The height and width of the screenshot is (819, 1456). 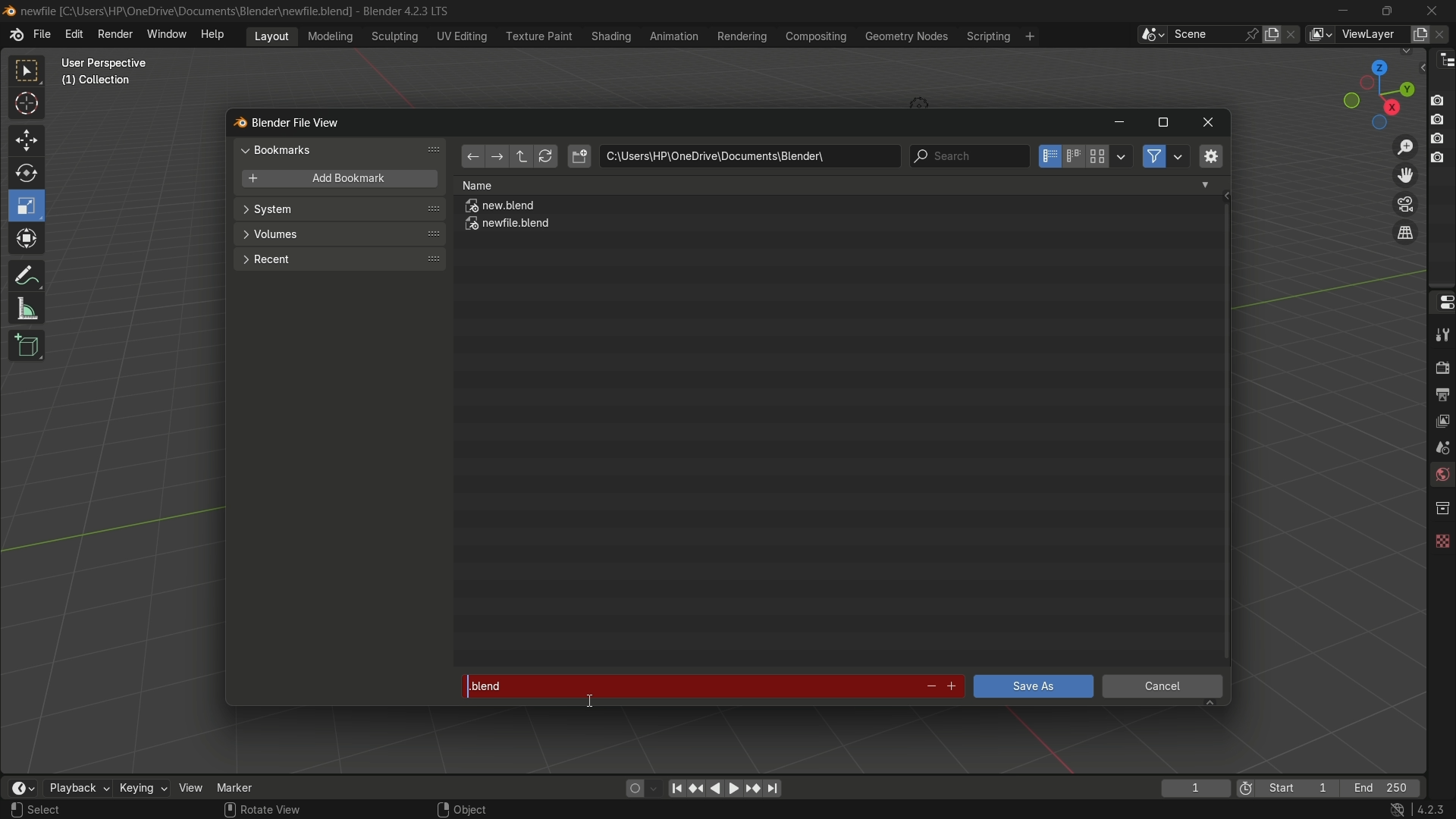 I want to click on pin scene to workplace, so click(x=1254, y=34).